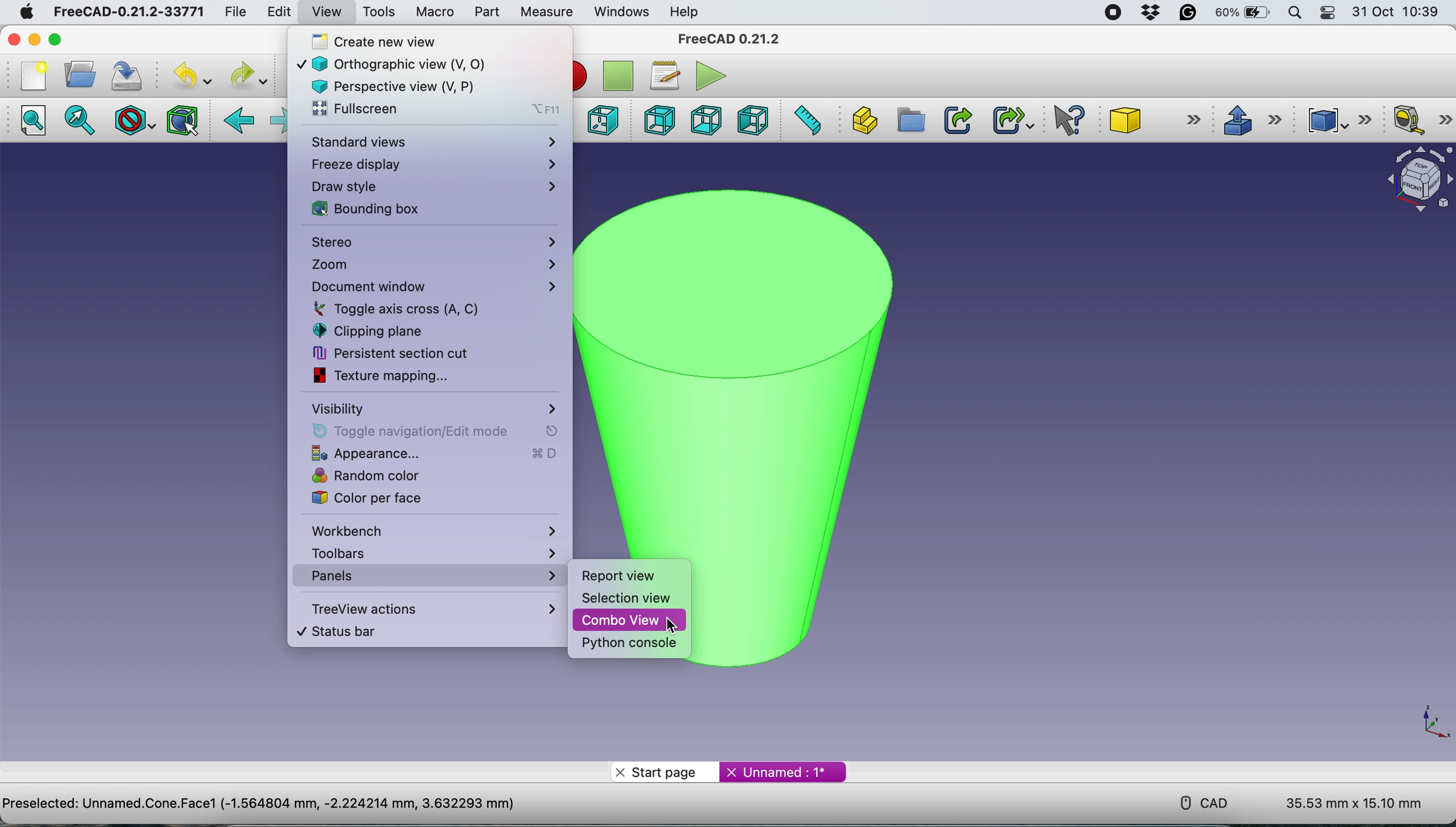 The height and width of the screenshot is (827, 1456). I want to click on create group, so click(910, 121).